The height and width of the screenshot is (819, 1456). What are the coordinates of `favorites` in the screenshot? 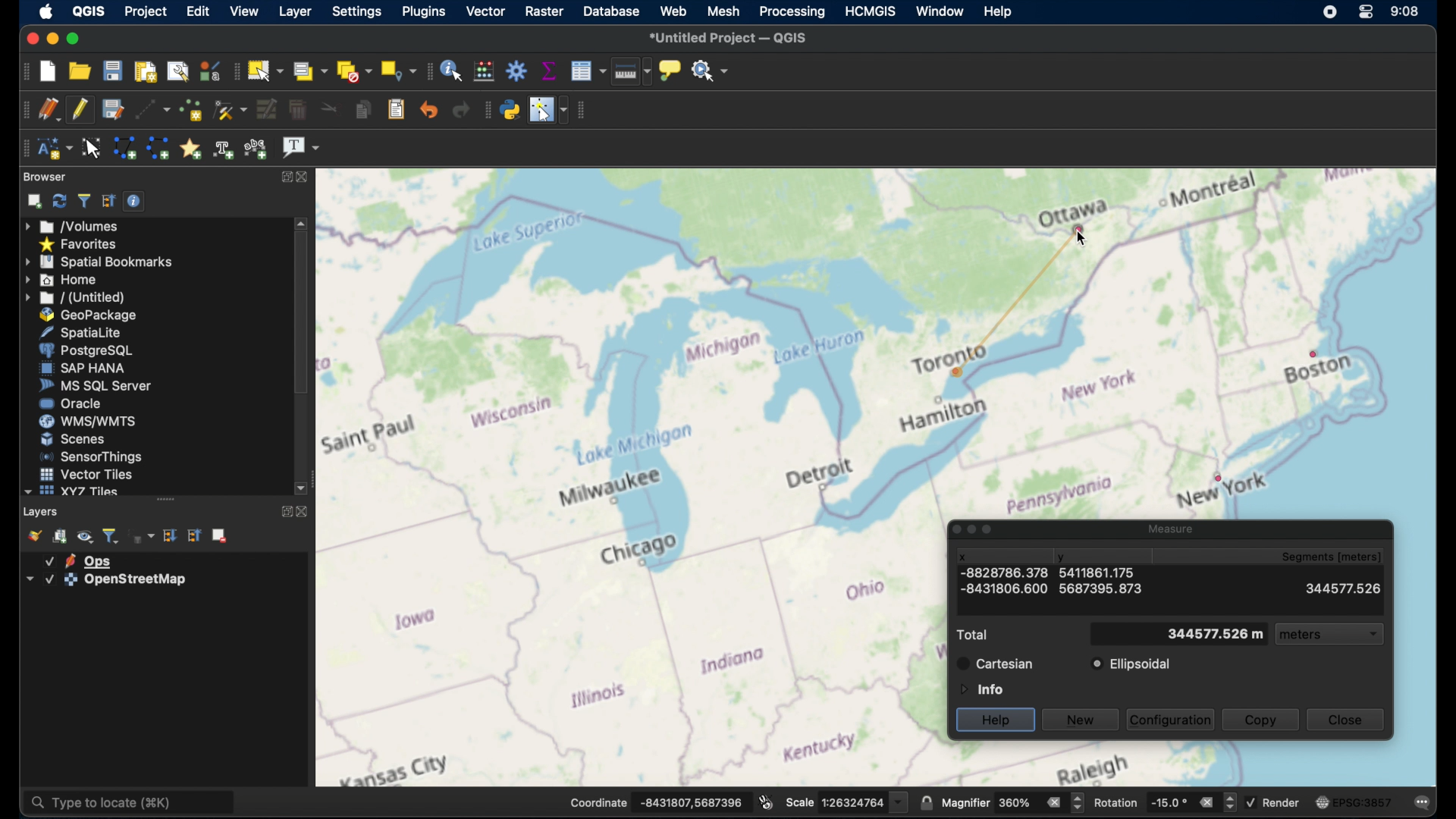 It's located at (80, 243).